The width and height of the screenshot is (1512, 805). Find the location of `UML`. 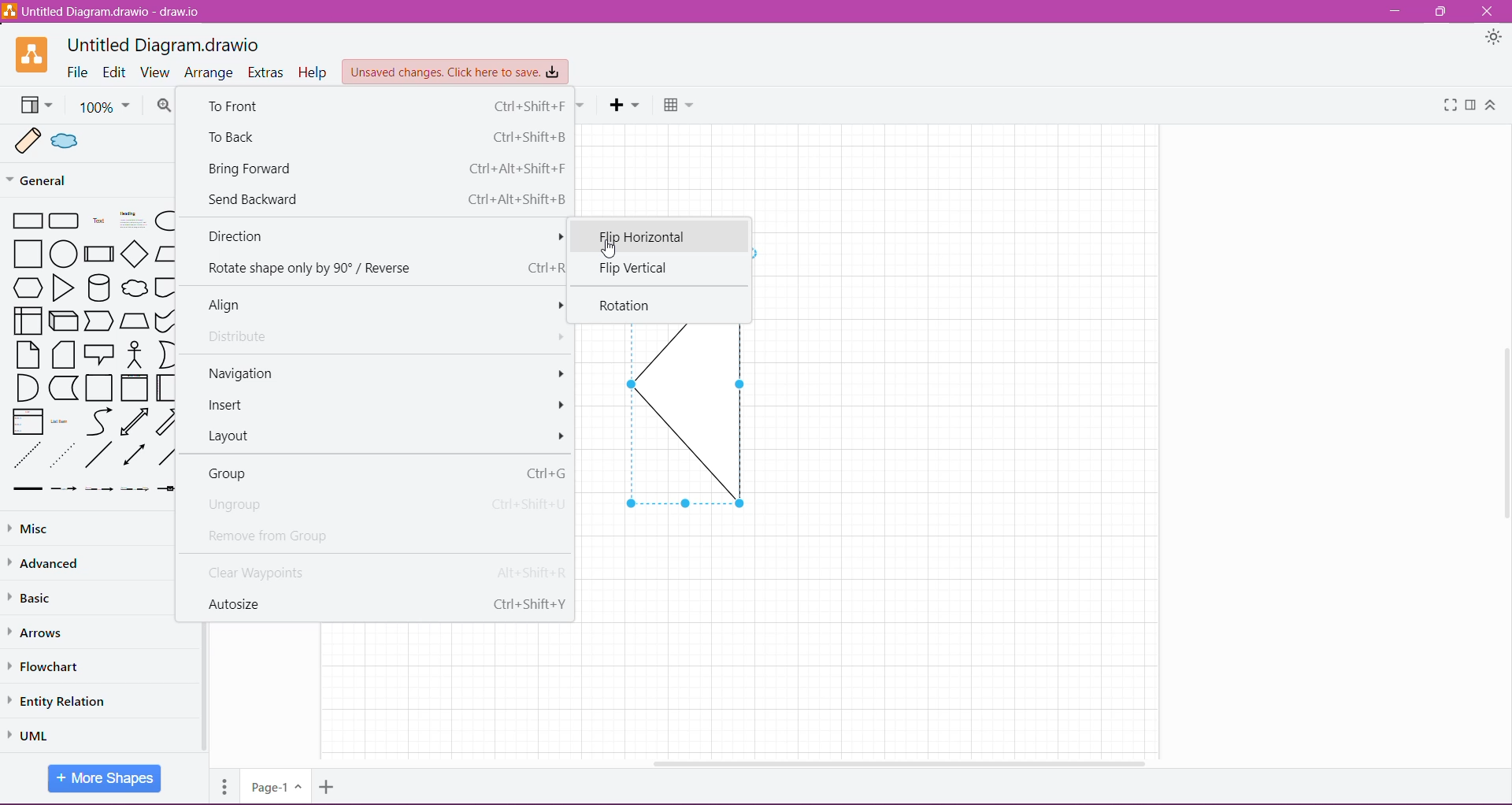

UML is located at coordinates (31, 733).